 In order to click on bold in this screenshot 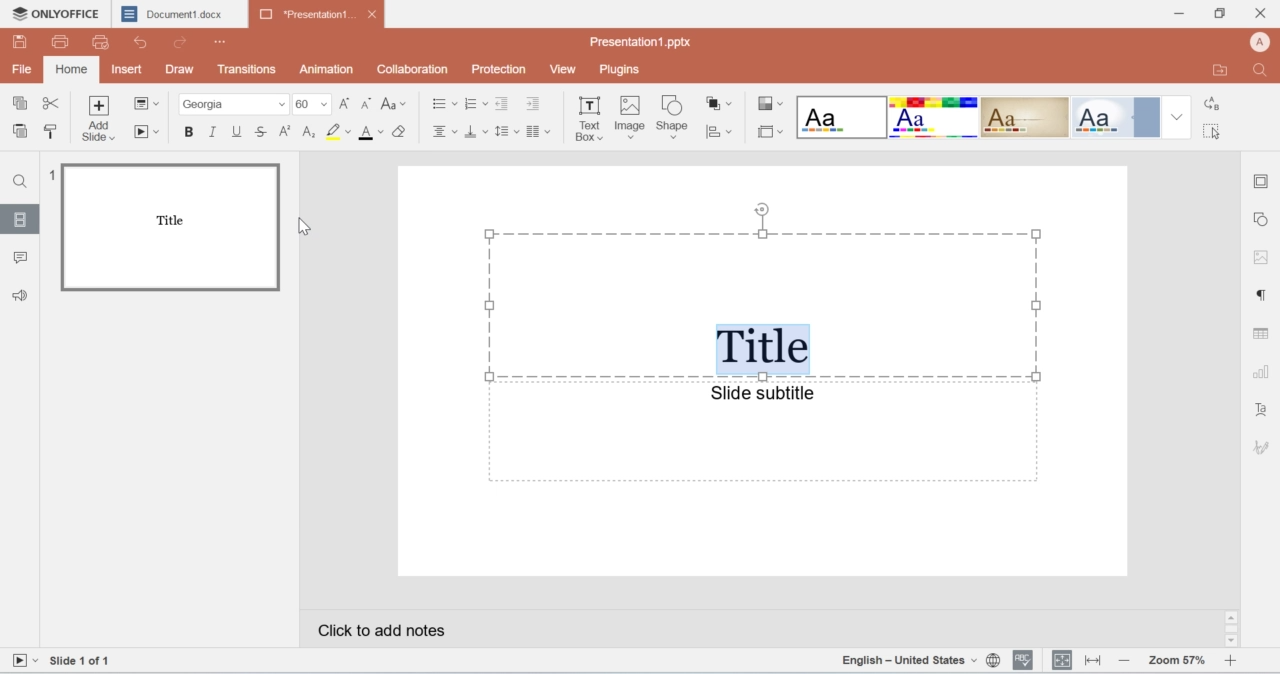, I will do `click(191, 132)`.